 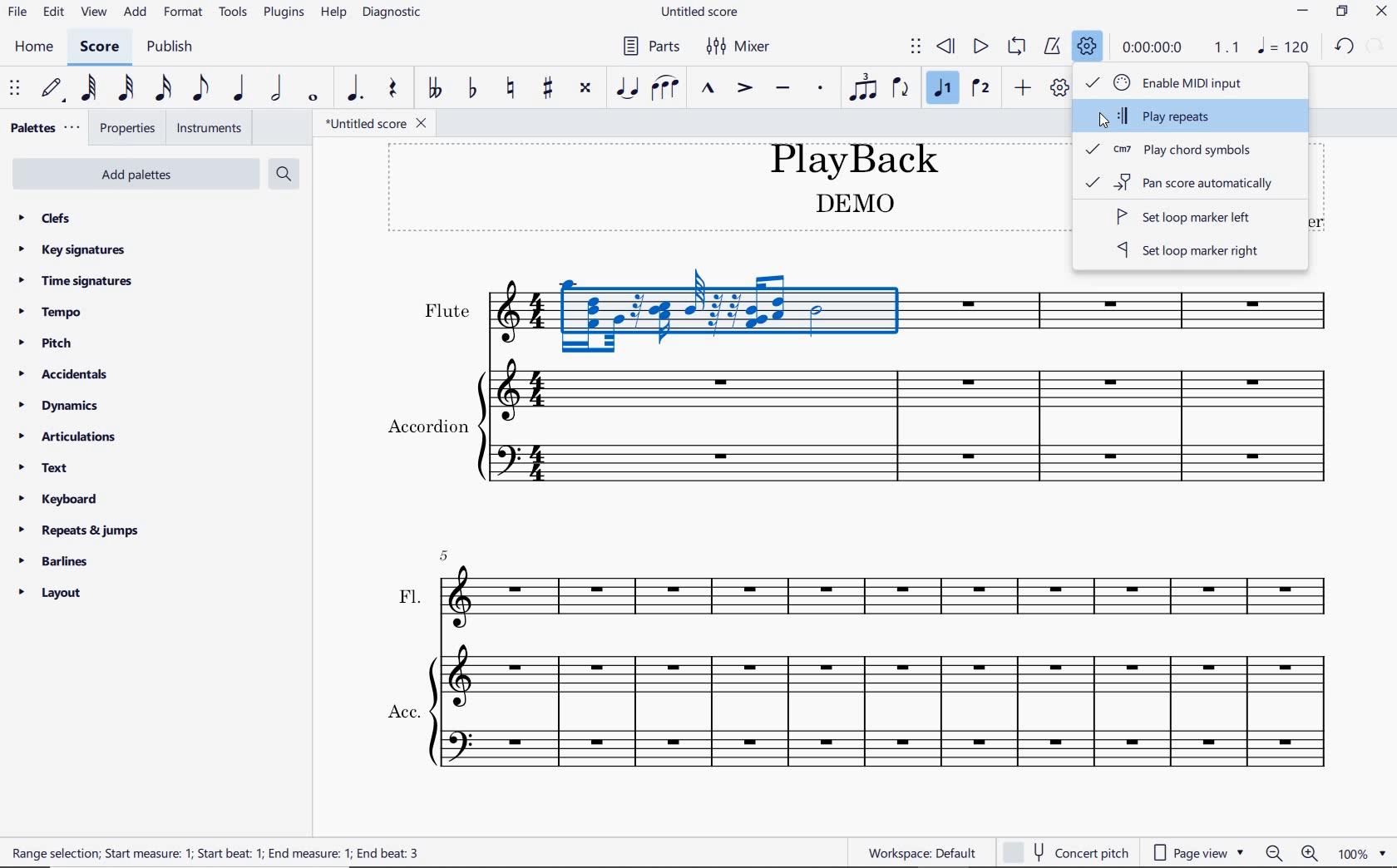 I want to click on pitch, so click(x=46, y=342).